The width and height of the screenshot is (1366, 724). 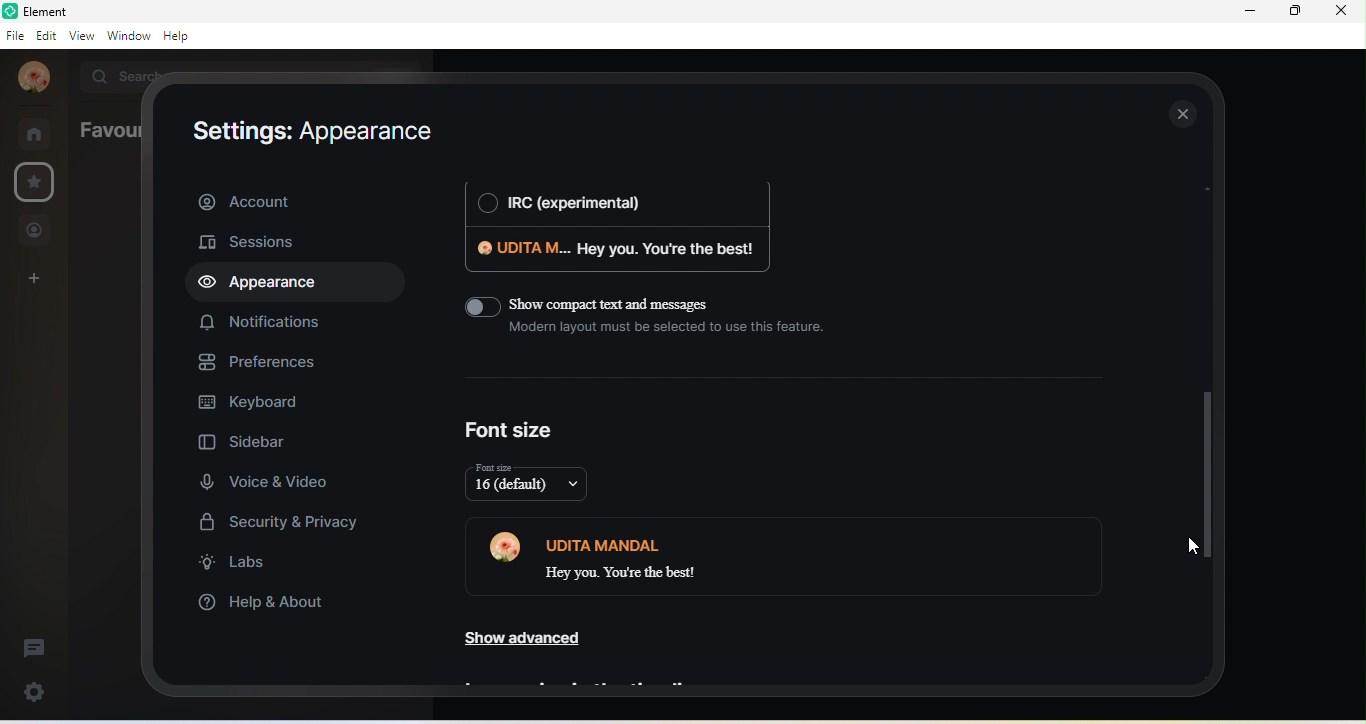 I want to click on show advanced, so click(x=523, y=633).